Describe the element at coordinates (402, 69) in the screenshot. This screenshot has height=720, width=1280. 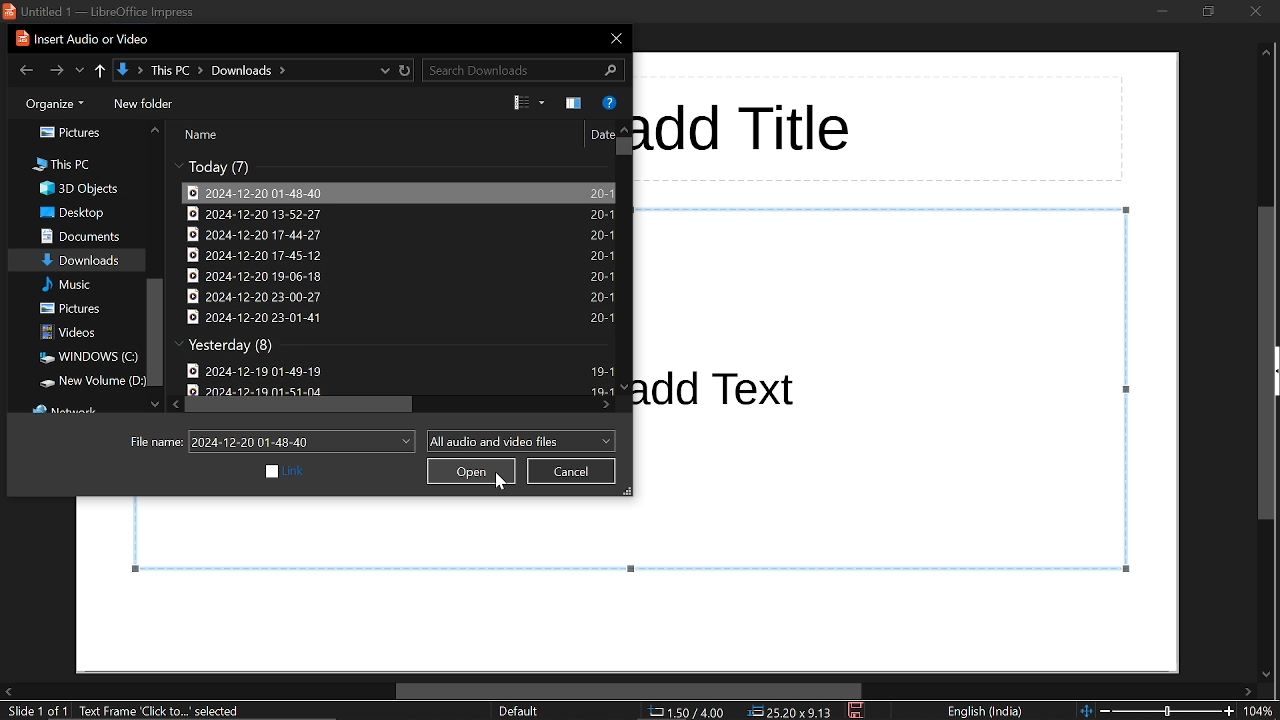
I see `refresh` at that location.